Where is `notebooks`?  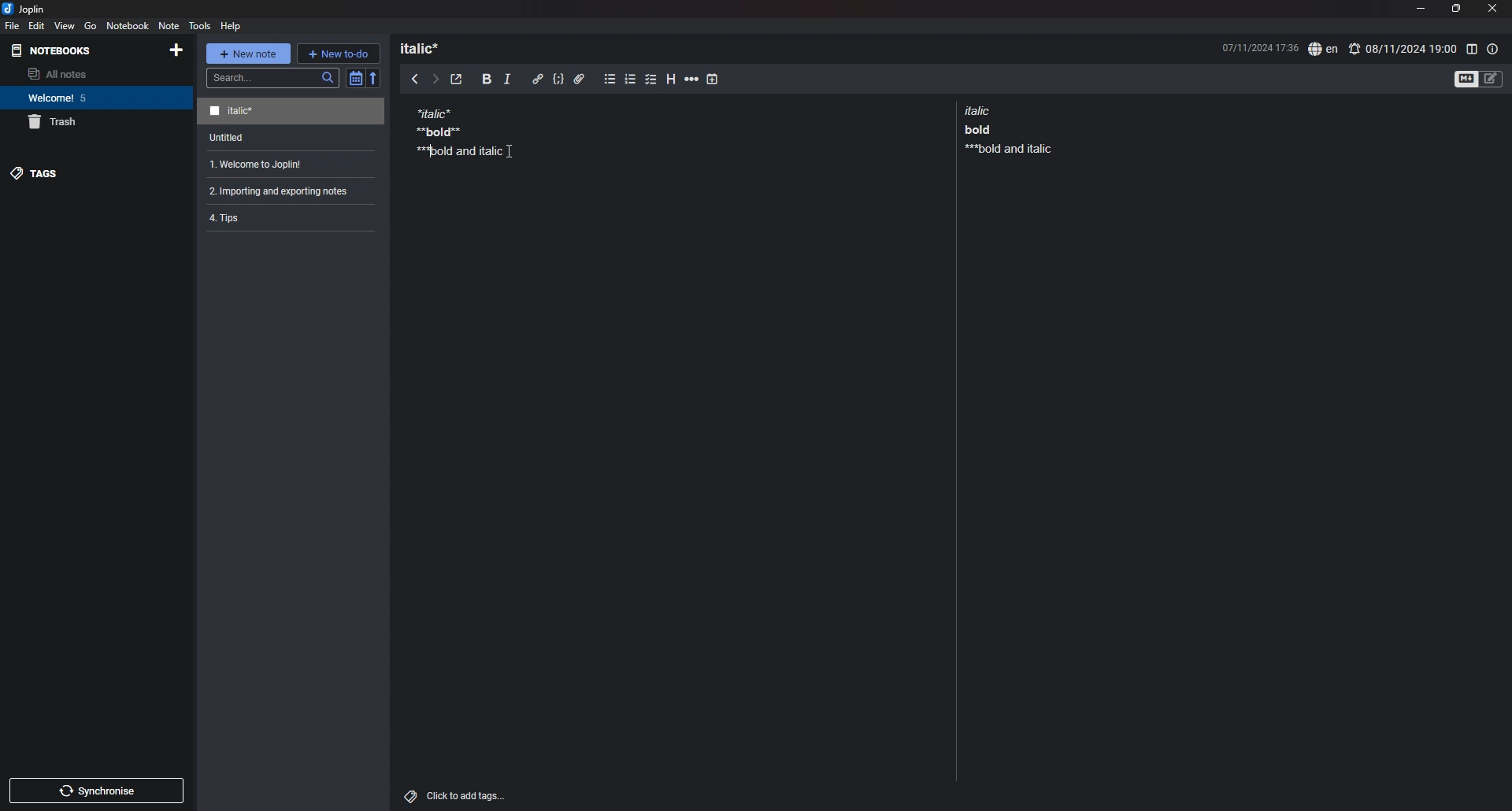 notebooks is located at coordinates (55, 50).